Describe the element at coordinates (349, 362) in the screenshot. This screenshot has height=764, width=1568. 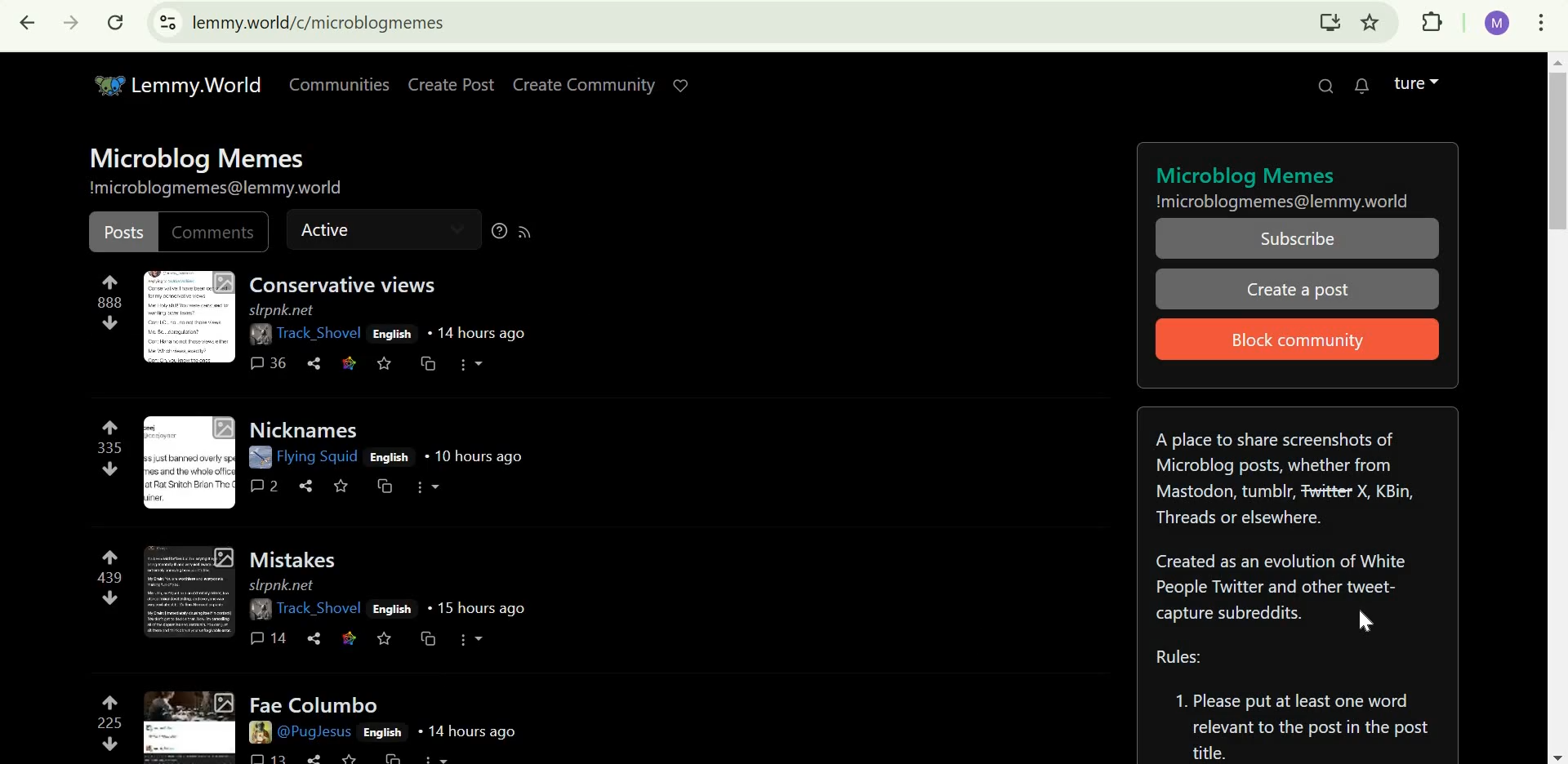
I see `link` at that location.